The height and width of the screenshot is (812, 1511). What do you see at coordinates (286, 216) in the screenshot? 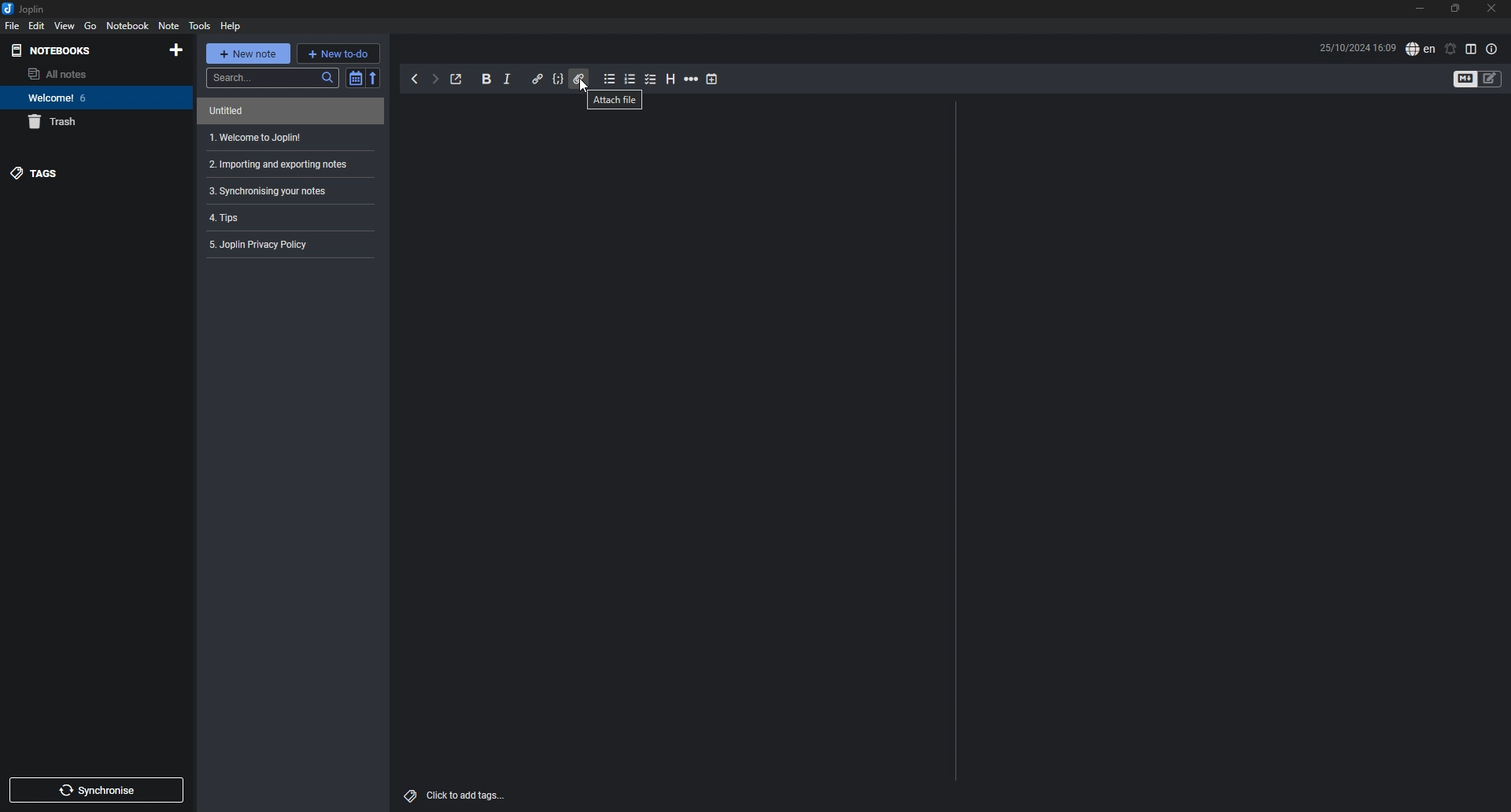
I see `4. Tips` at bounding box center [286, 216].